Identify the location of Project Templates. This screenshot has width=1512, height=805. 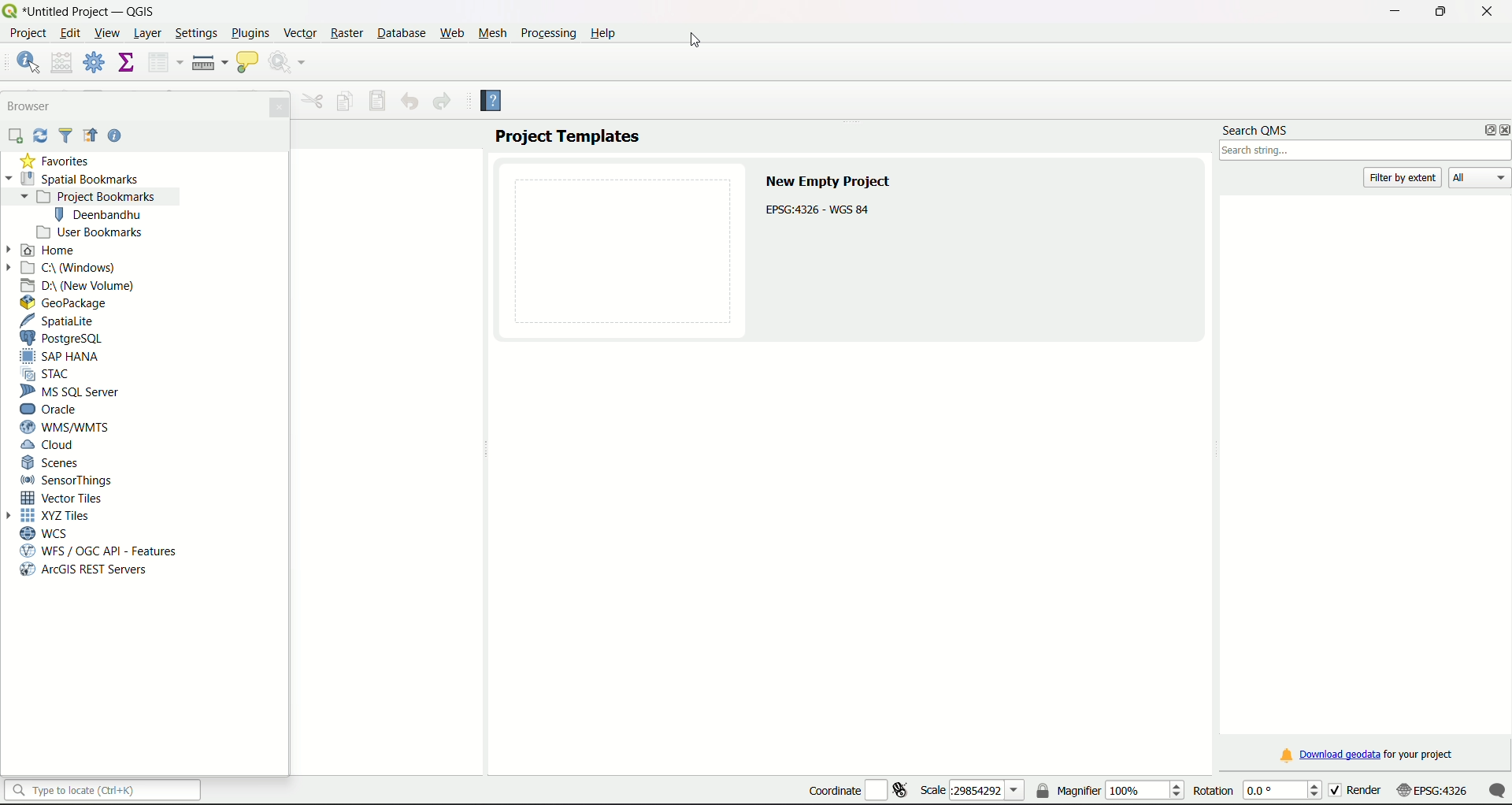
(570, 137).